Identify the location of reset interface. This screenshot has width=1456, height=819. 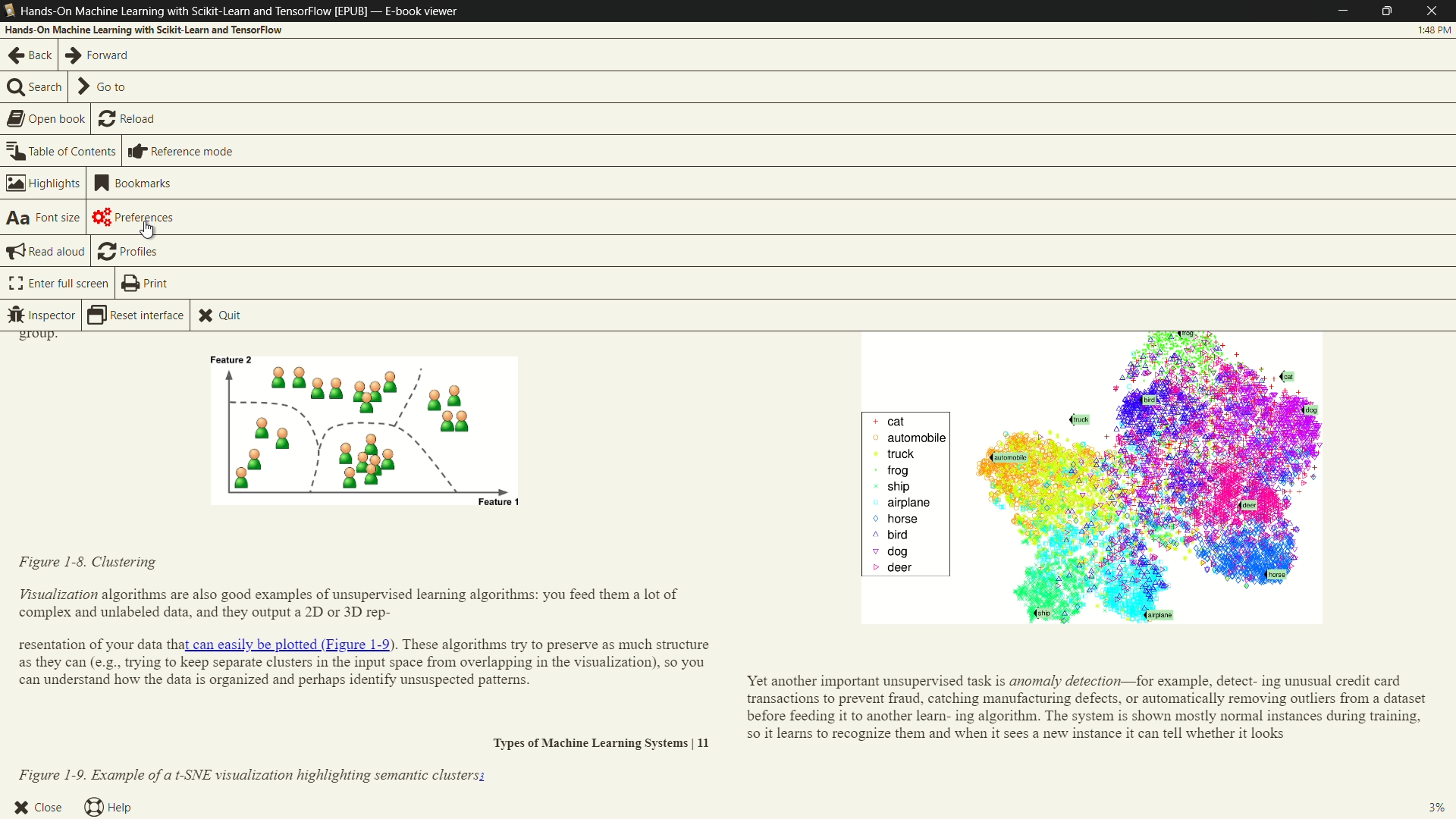
(138, 315).